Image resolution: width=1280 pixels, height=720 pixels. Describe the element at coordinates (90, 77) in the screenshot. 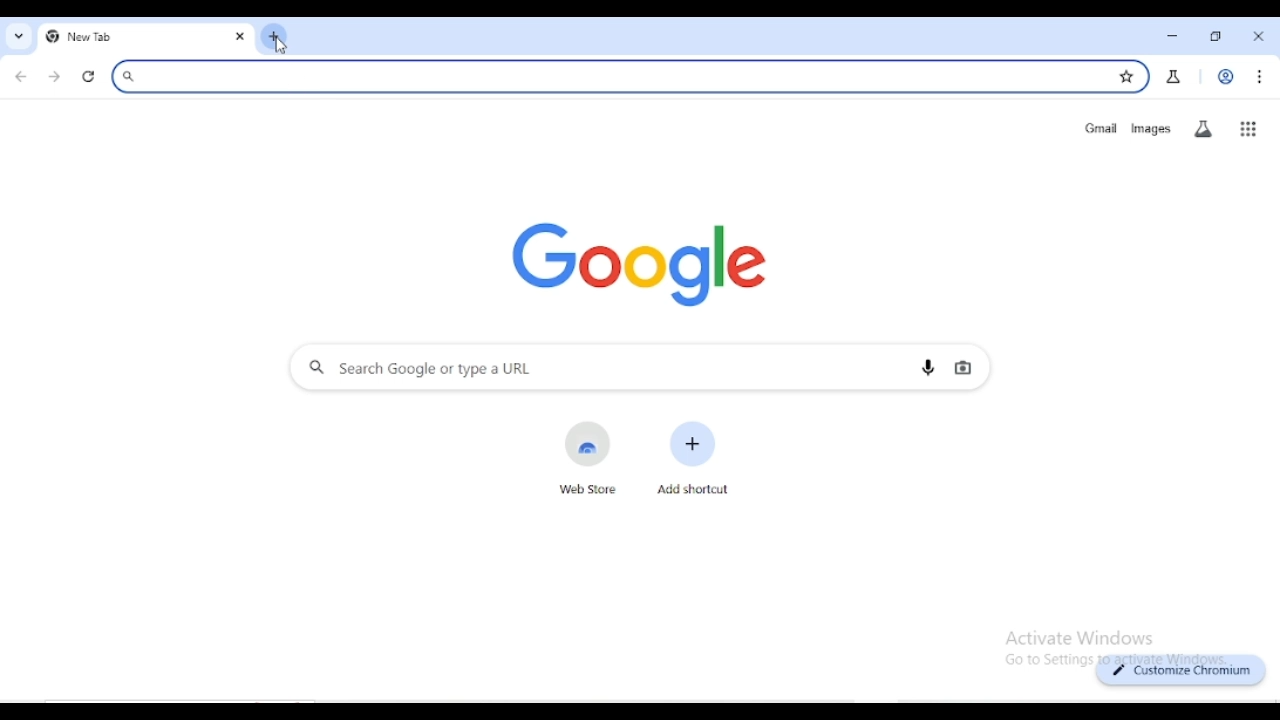

I see `reload this page` at that location.